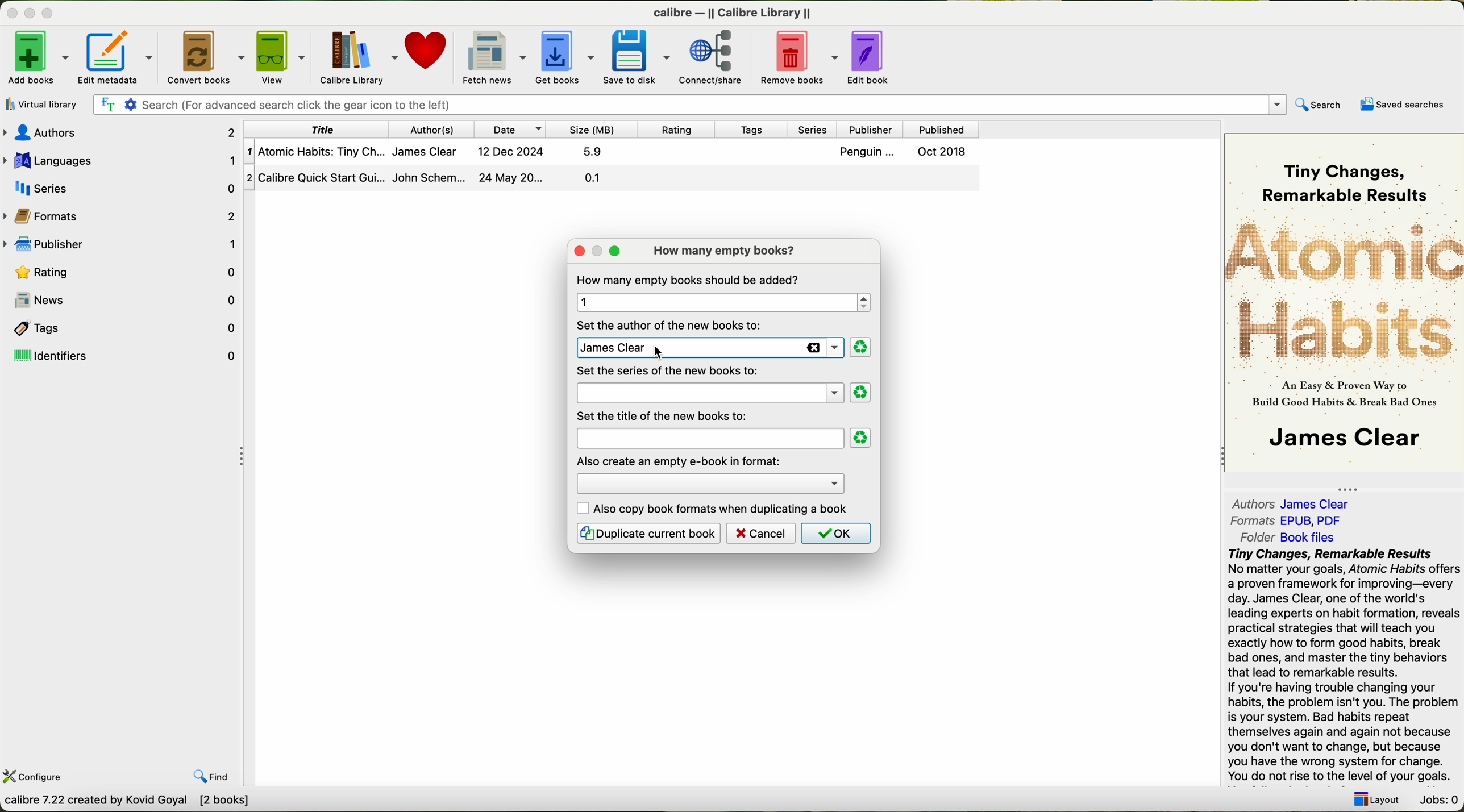 The image size is (1464, 812). Describe the element at coordinates (121, 300) in the screenshot. I see `news` at that location.